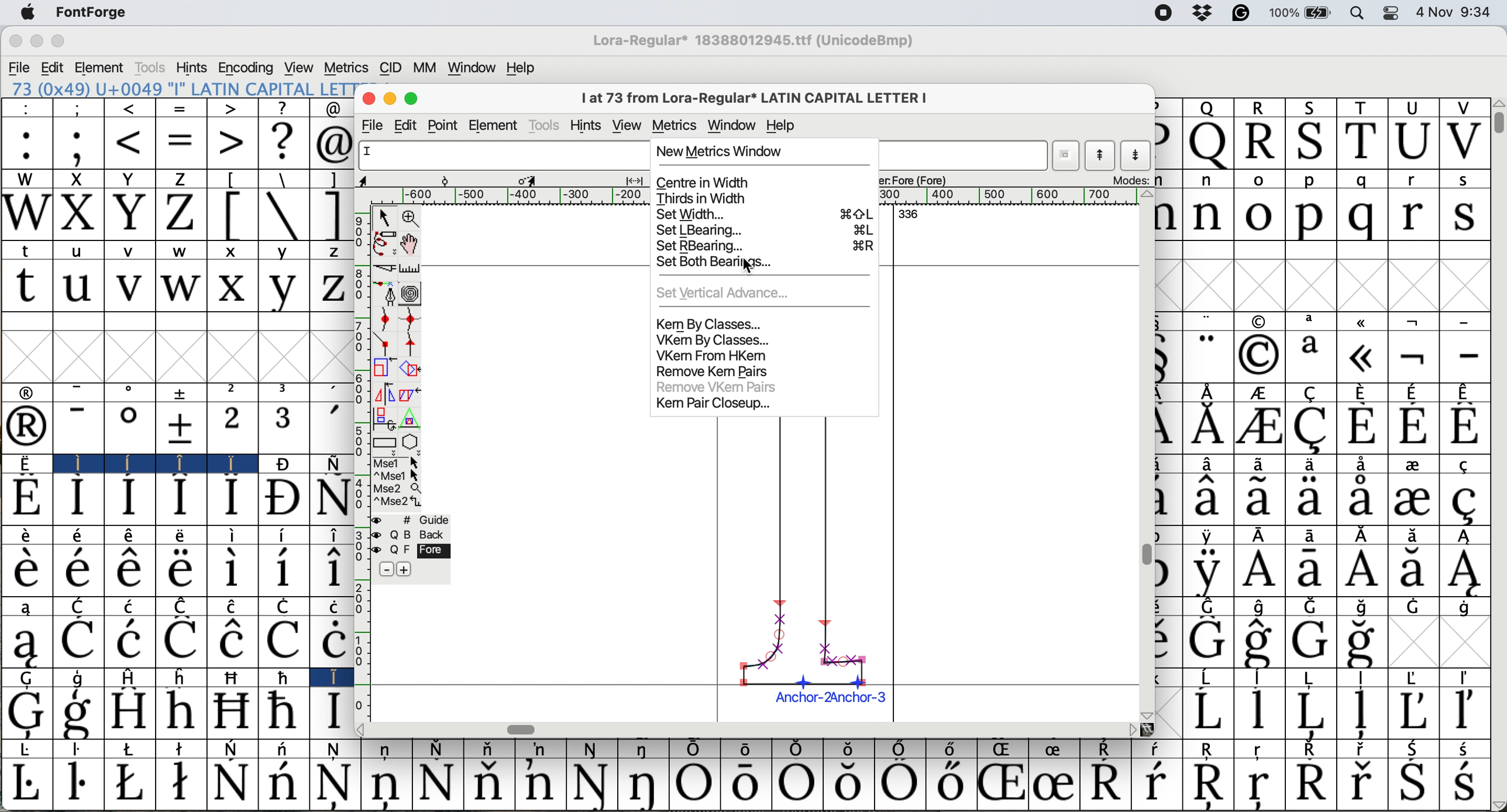 This screenshot has width=1507, height=812. Describe the element at coordinates (1150, 729) in the screenshot. I see `` at that location.